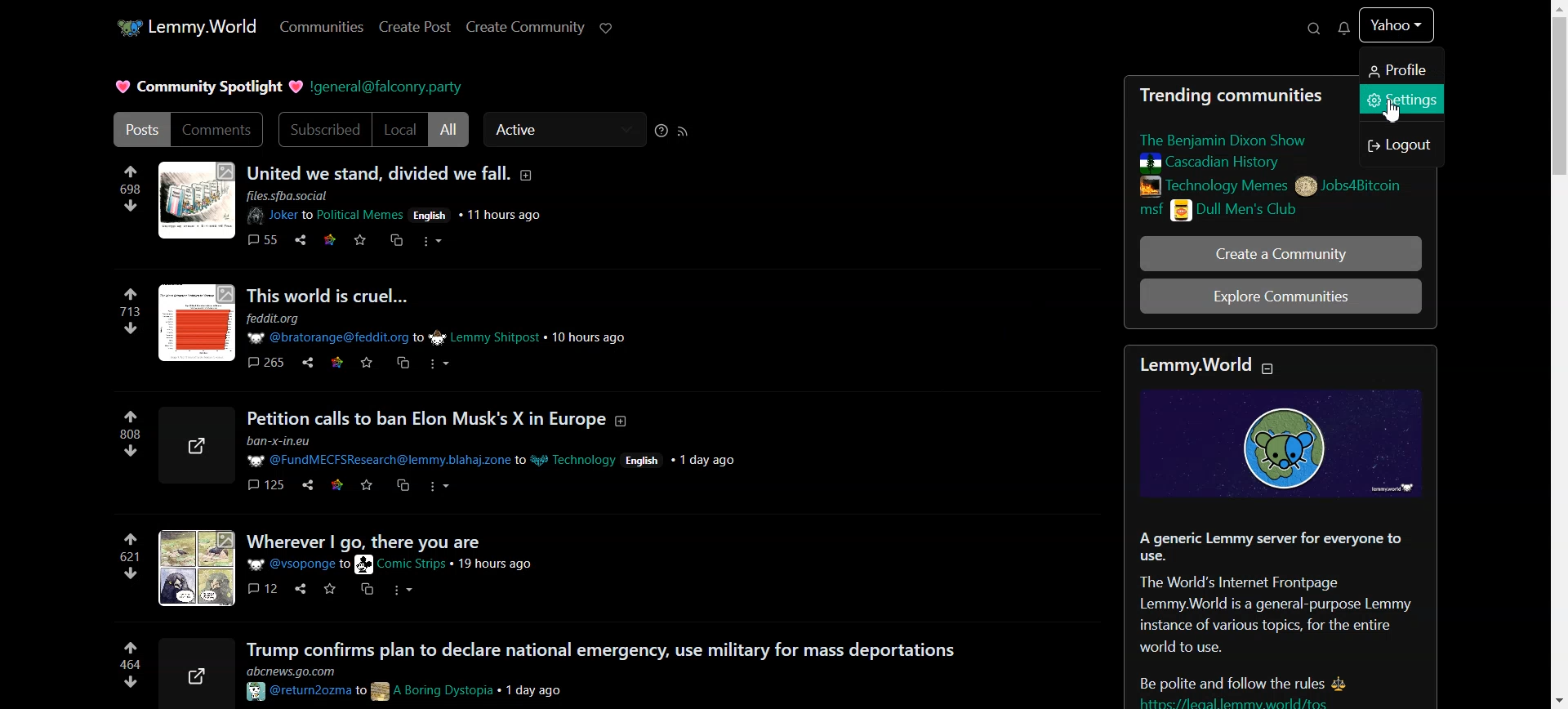 Image resolution: width=1568 pixels, height=709 pixels. Describe the element at coordinates (336, 372) in the screenshot. I see `star` at that location.